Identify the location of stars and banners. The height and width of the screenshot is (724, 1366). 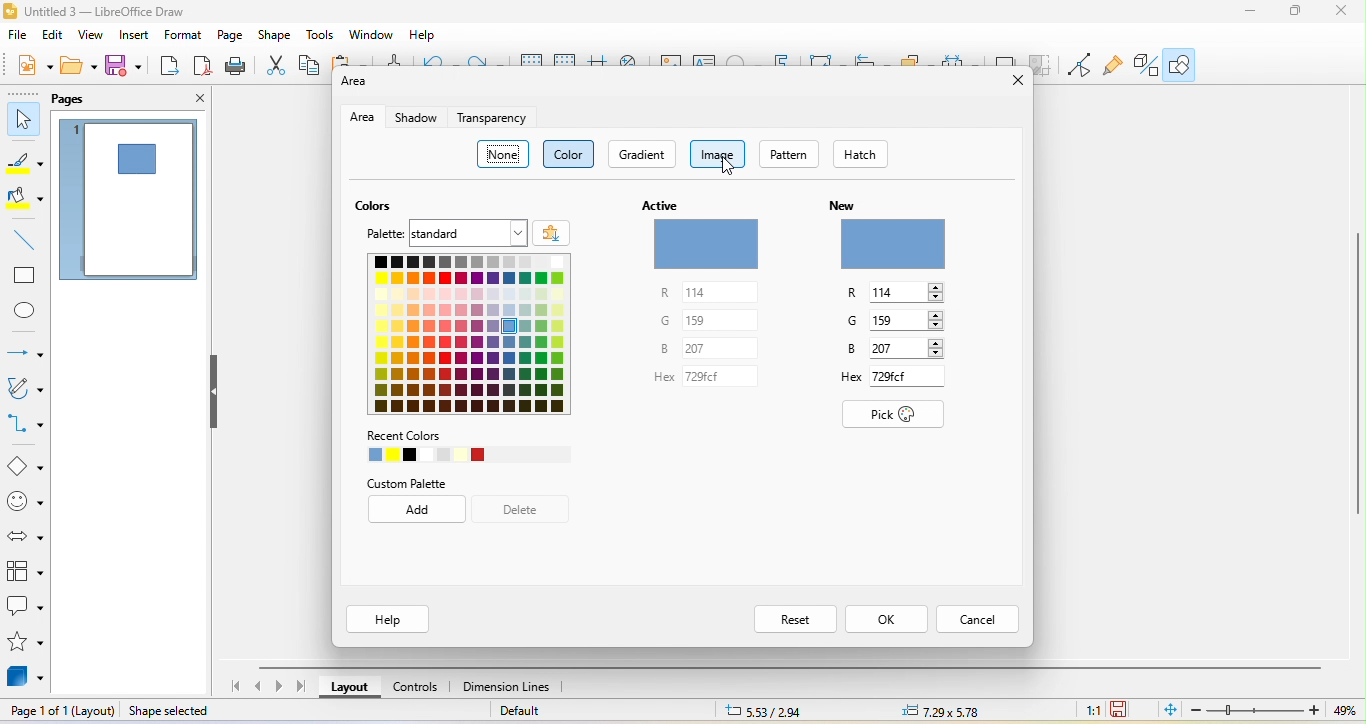
(25, 644).